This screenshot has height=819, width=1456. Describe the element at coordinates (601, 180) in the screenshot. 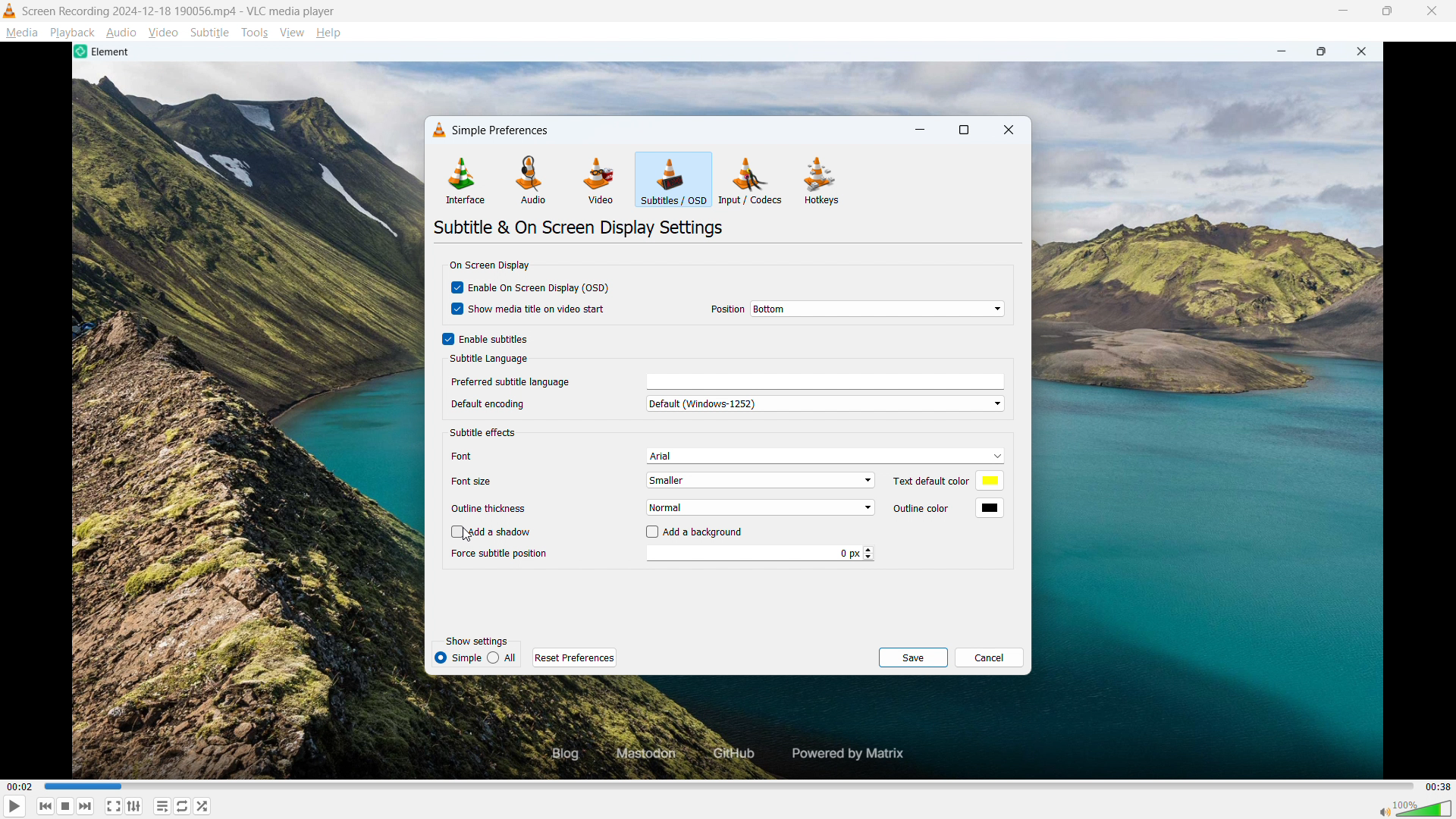

I see `Video ` at that location.